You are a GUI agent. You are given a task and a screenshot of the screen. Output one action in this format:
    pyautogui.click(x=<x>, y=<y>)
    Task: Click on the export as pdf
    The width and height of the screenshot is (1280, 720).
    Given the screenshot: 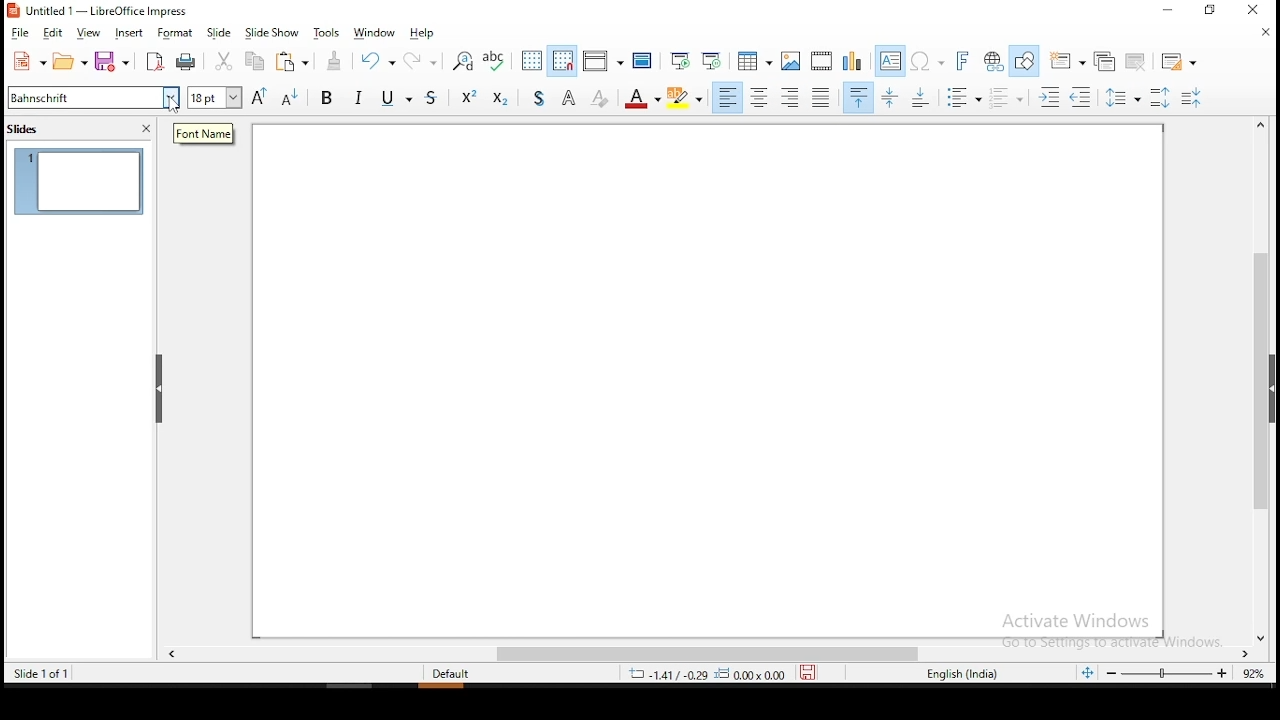 What is the action you would take?
    pyautogui.click(x=155, y=61)
    